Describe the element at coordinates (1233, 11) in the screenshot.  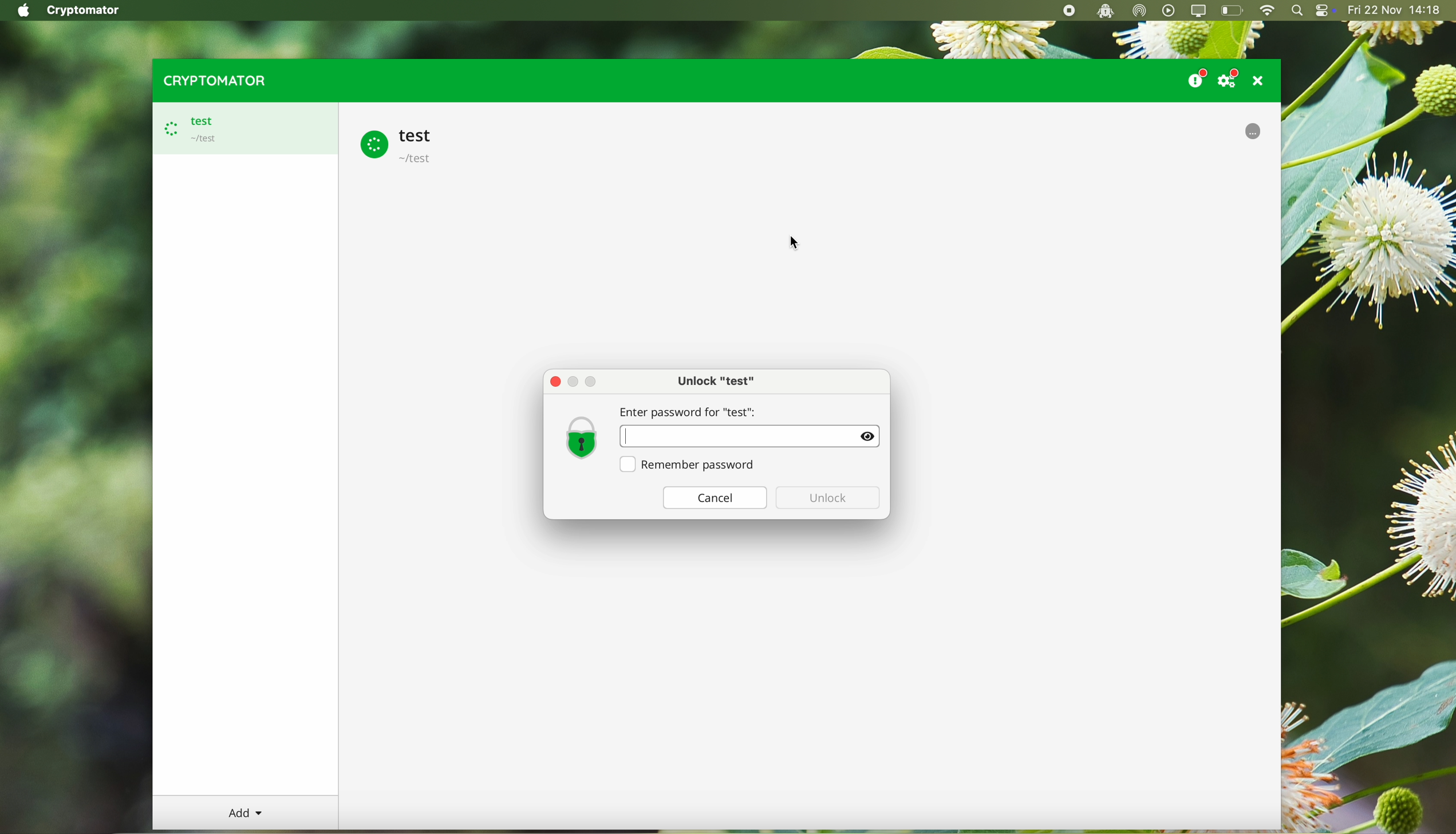
I see `battery` at that location.